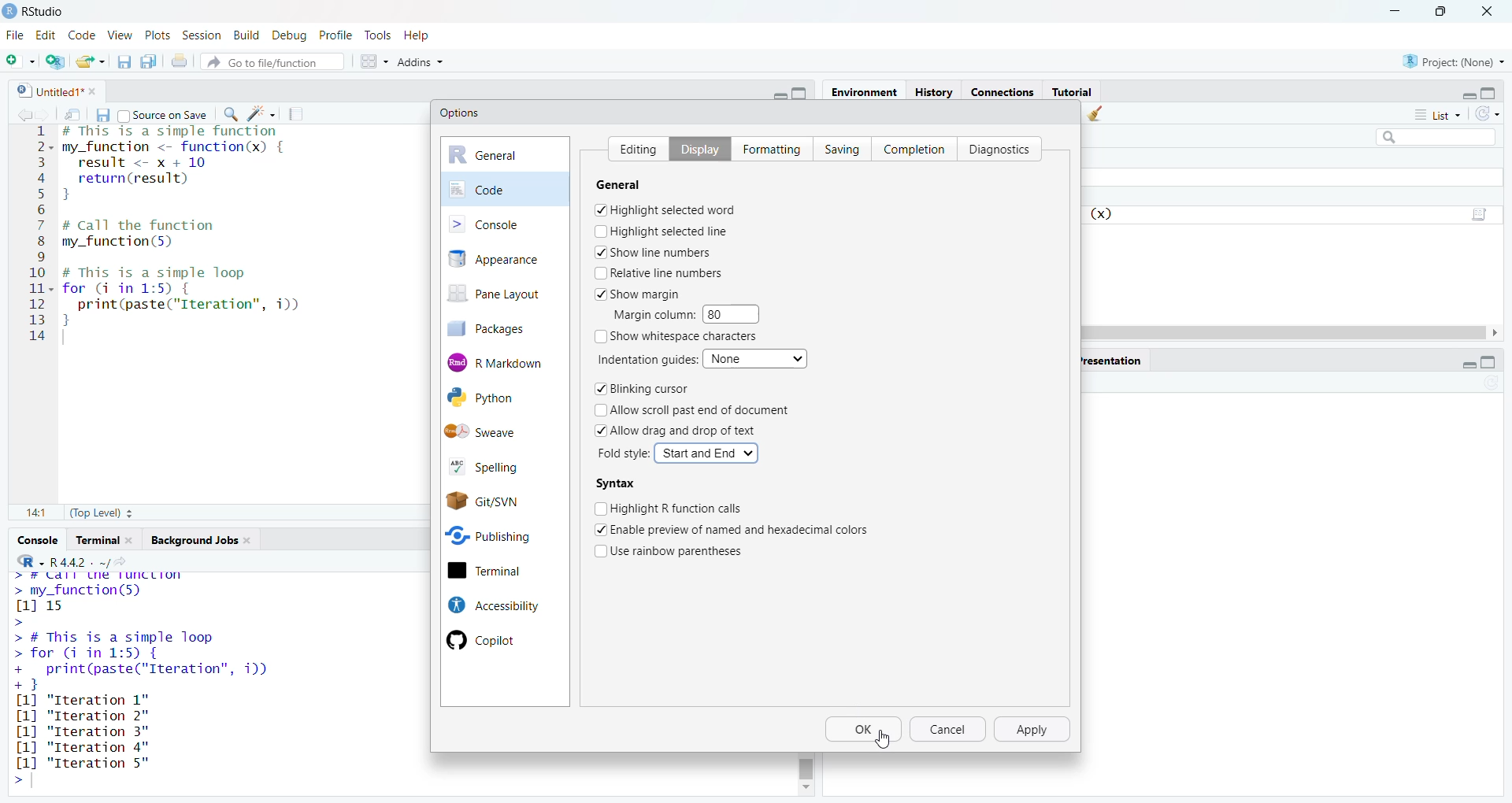 The height and width of the screenshot is (803, 1512). I want to click on use rainbow parenthesis, so click(680, 550).